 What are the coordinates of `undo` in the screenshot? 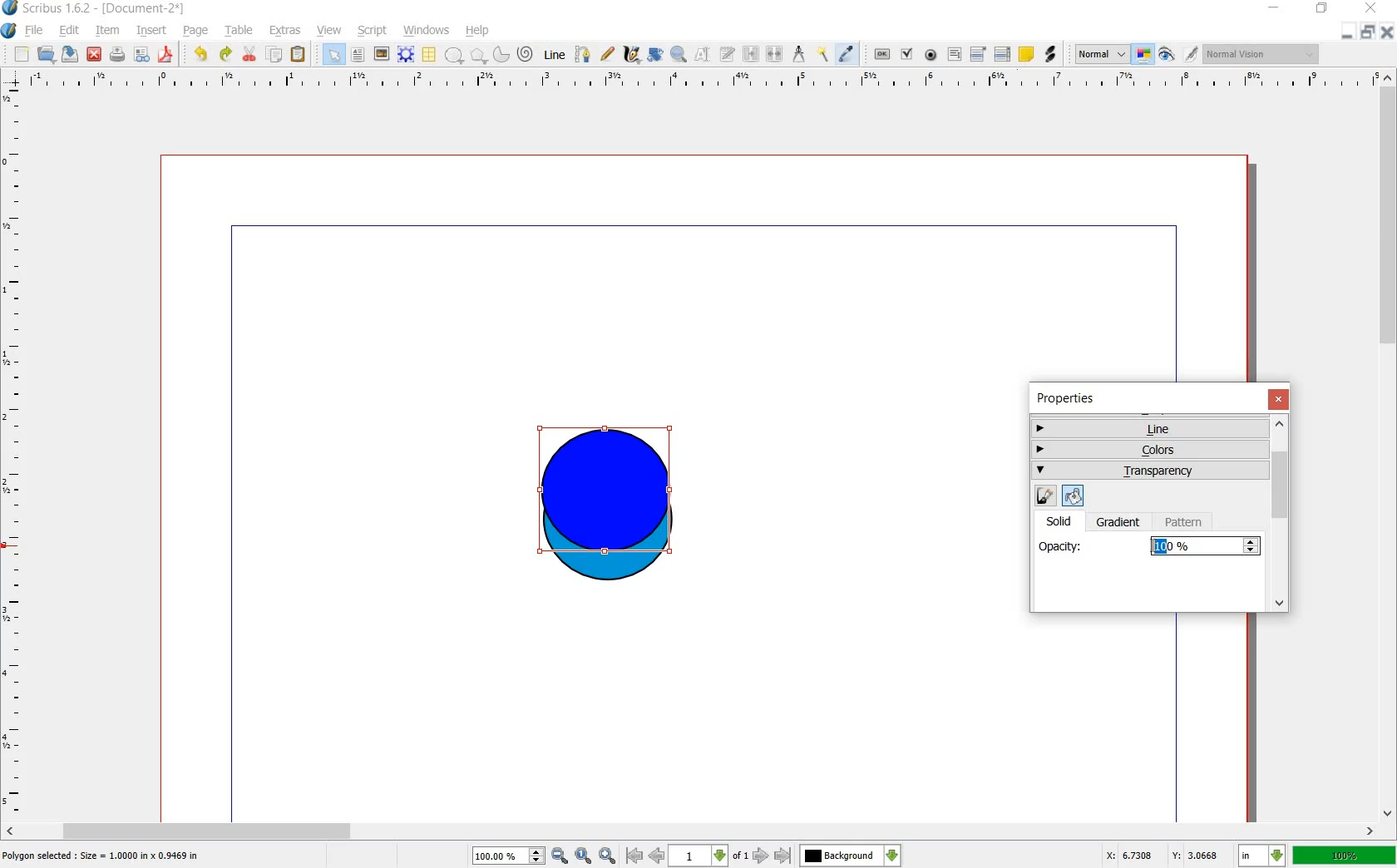 It's located at (202, 55).